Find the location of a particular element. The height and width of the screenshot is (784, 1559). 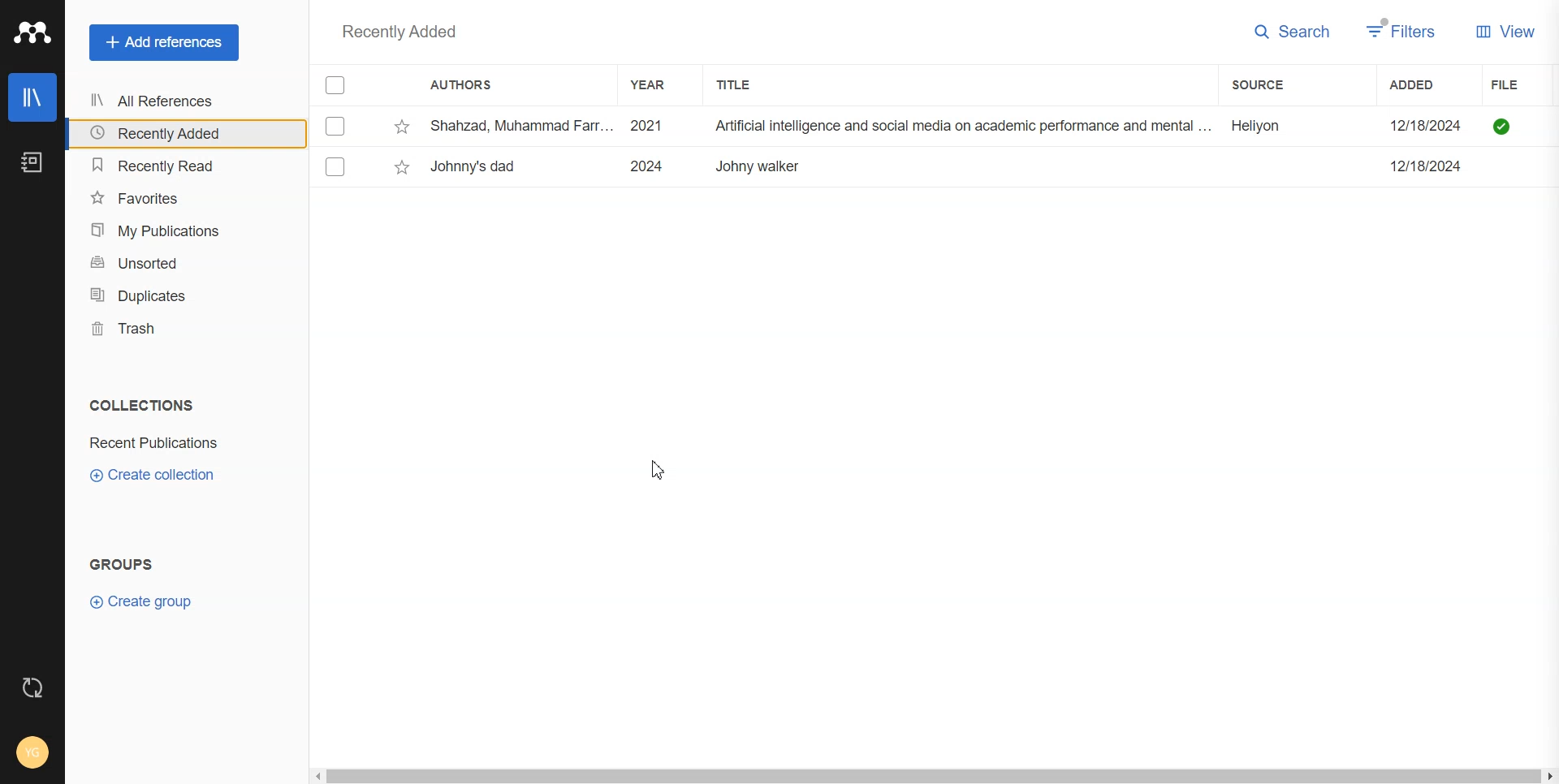

Ezquerro, L.; Coimbra, R.; ... 2023 Large dinosaur egg accumulations and their significance for understanding ne... Geoscience Frontiers ~~ 12/18/2024 is located at coordinates (952, 166).